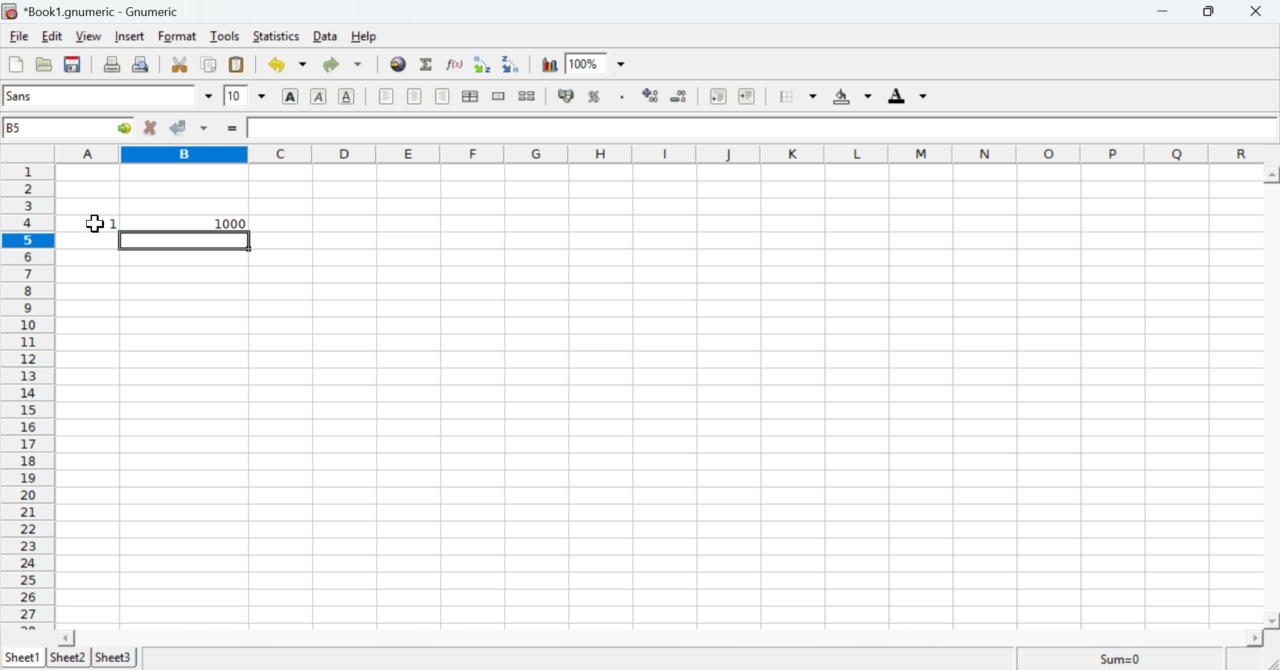 This screenshot has height=670, width=1280. I want to click on Insert, so click(130, 36).